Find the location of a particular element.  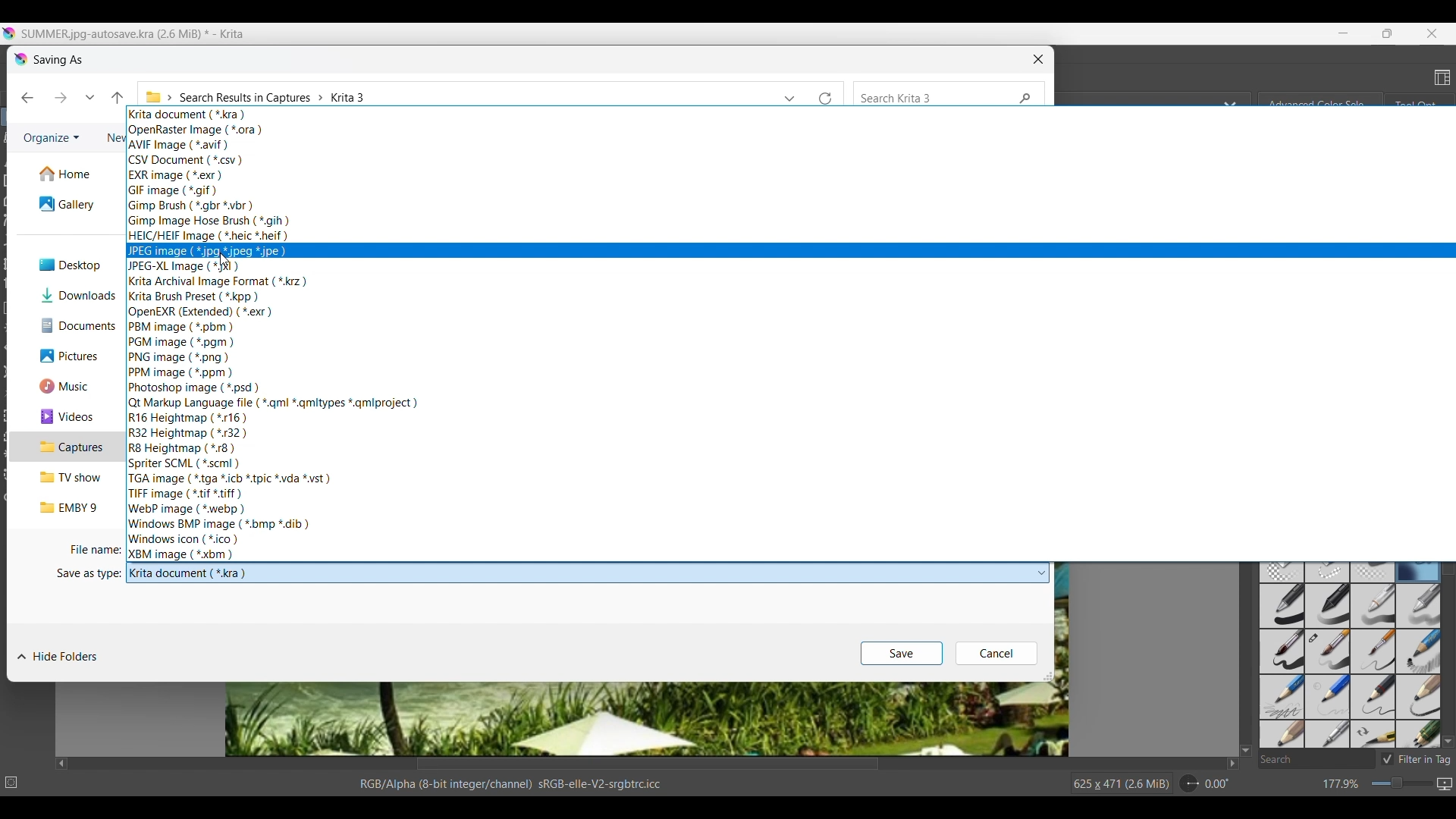

Downloads folder is located at coordinates (65, 296).